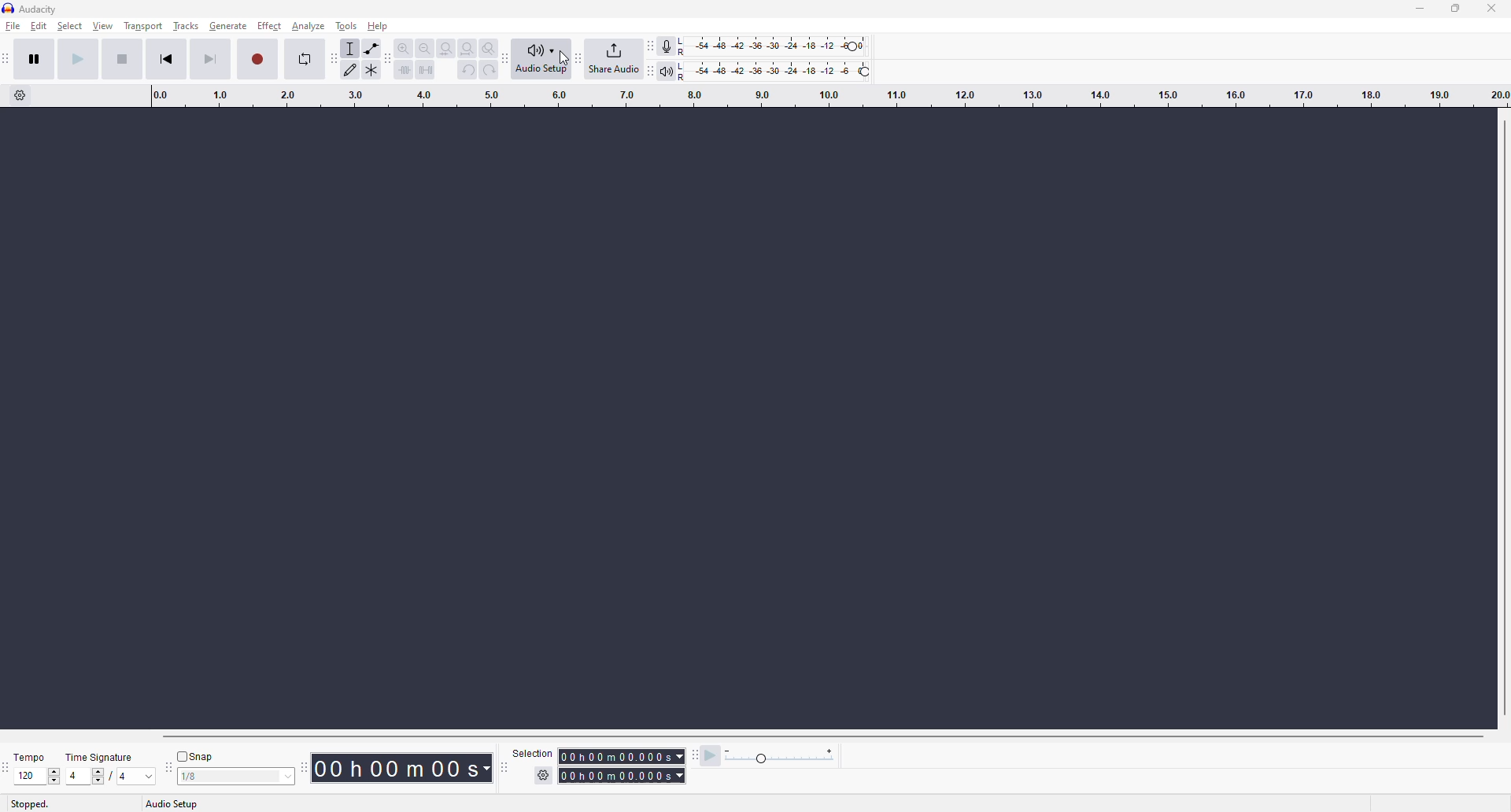  I want to click on audacity, so click(33, 8).